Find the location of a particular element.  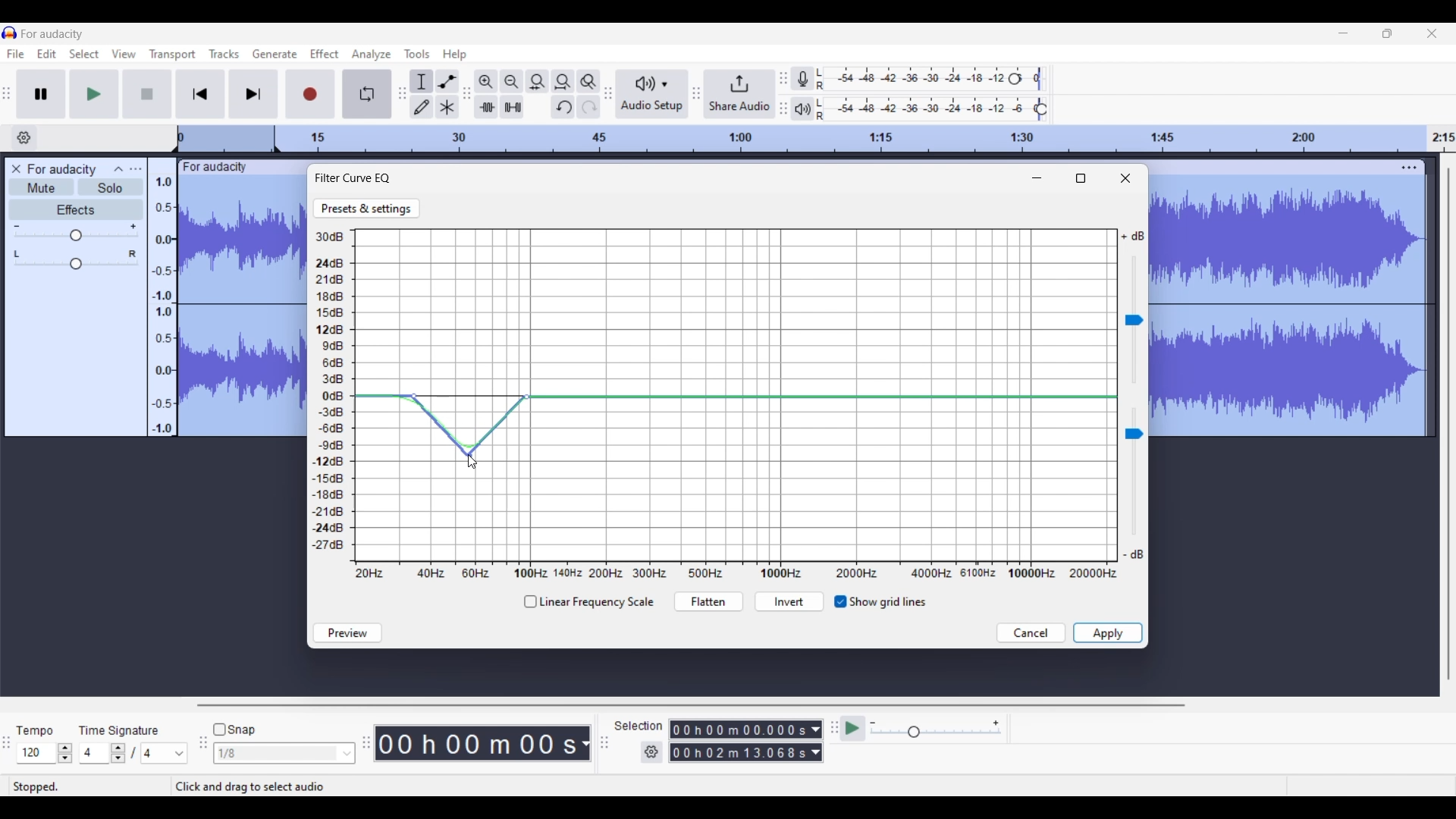

Software name is located at coordinates (53, 33).